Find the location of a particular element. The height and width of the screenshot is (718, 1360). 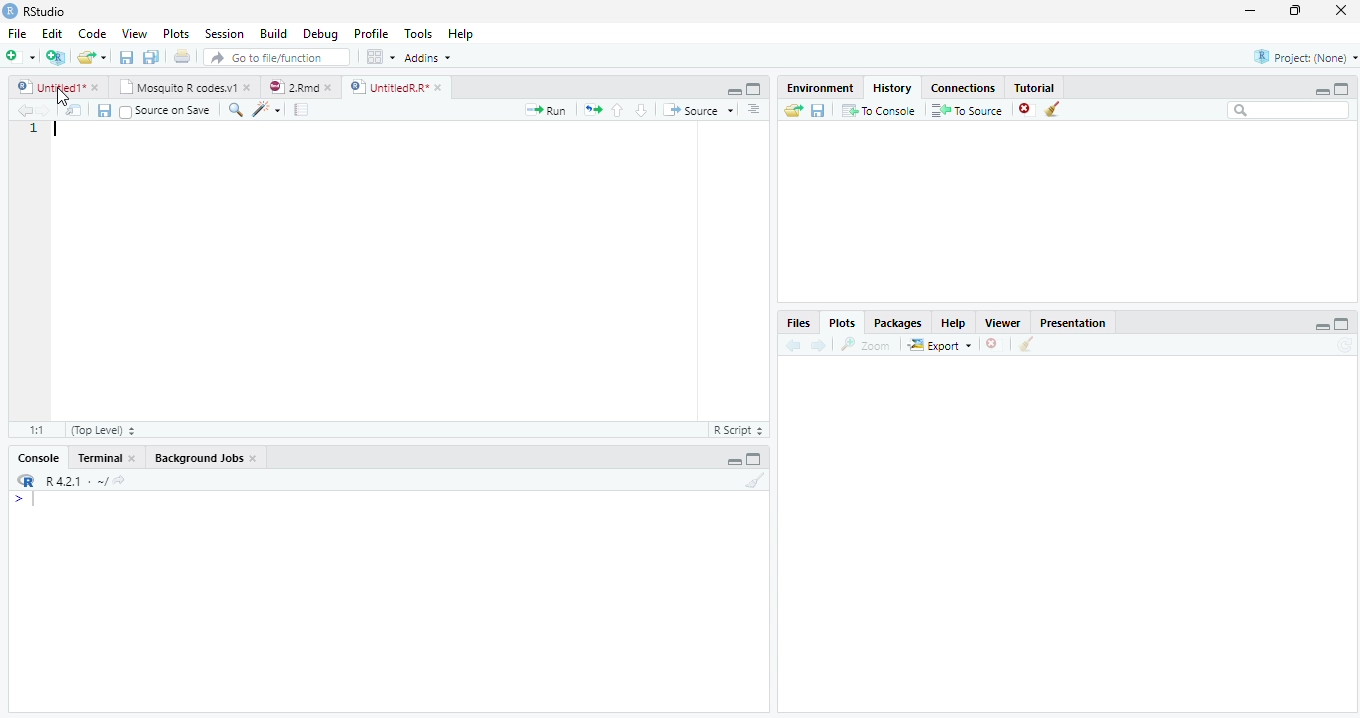

Plots is located at coordinates (842, 322).